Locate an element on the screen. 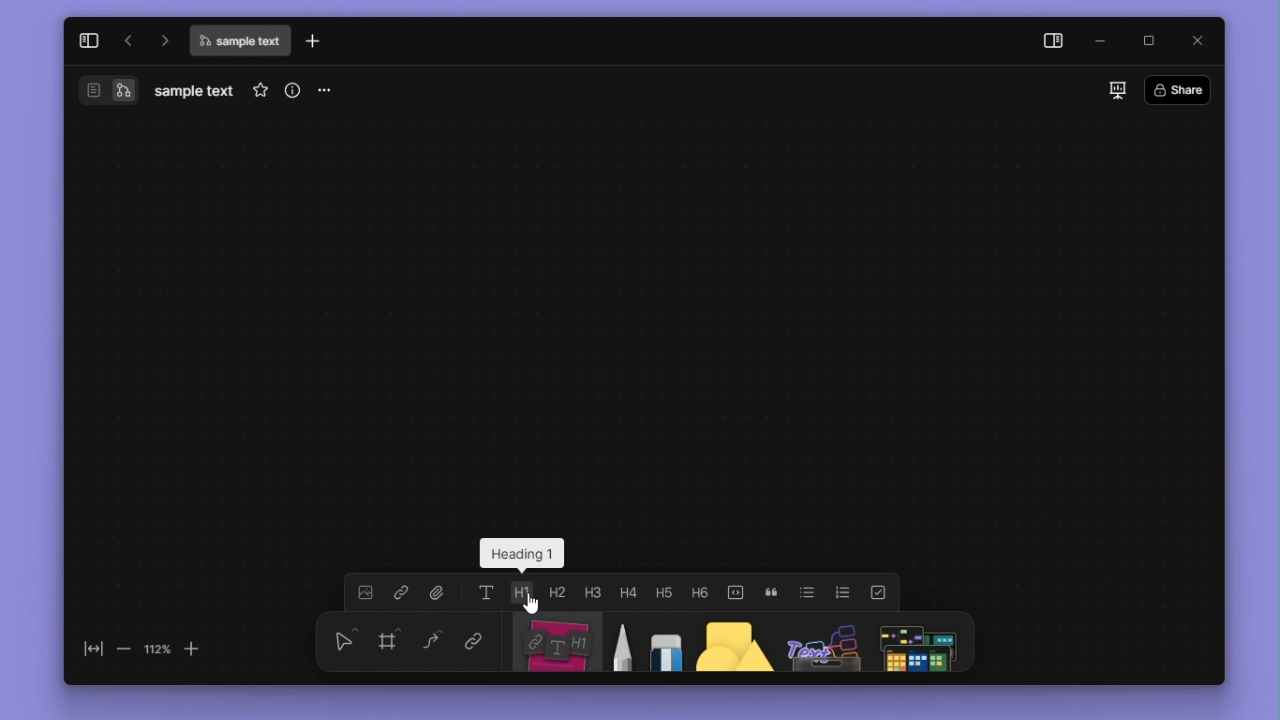 This screenshot has width=1280, height=720. view info is located at coordinates (293, 90).